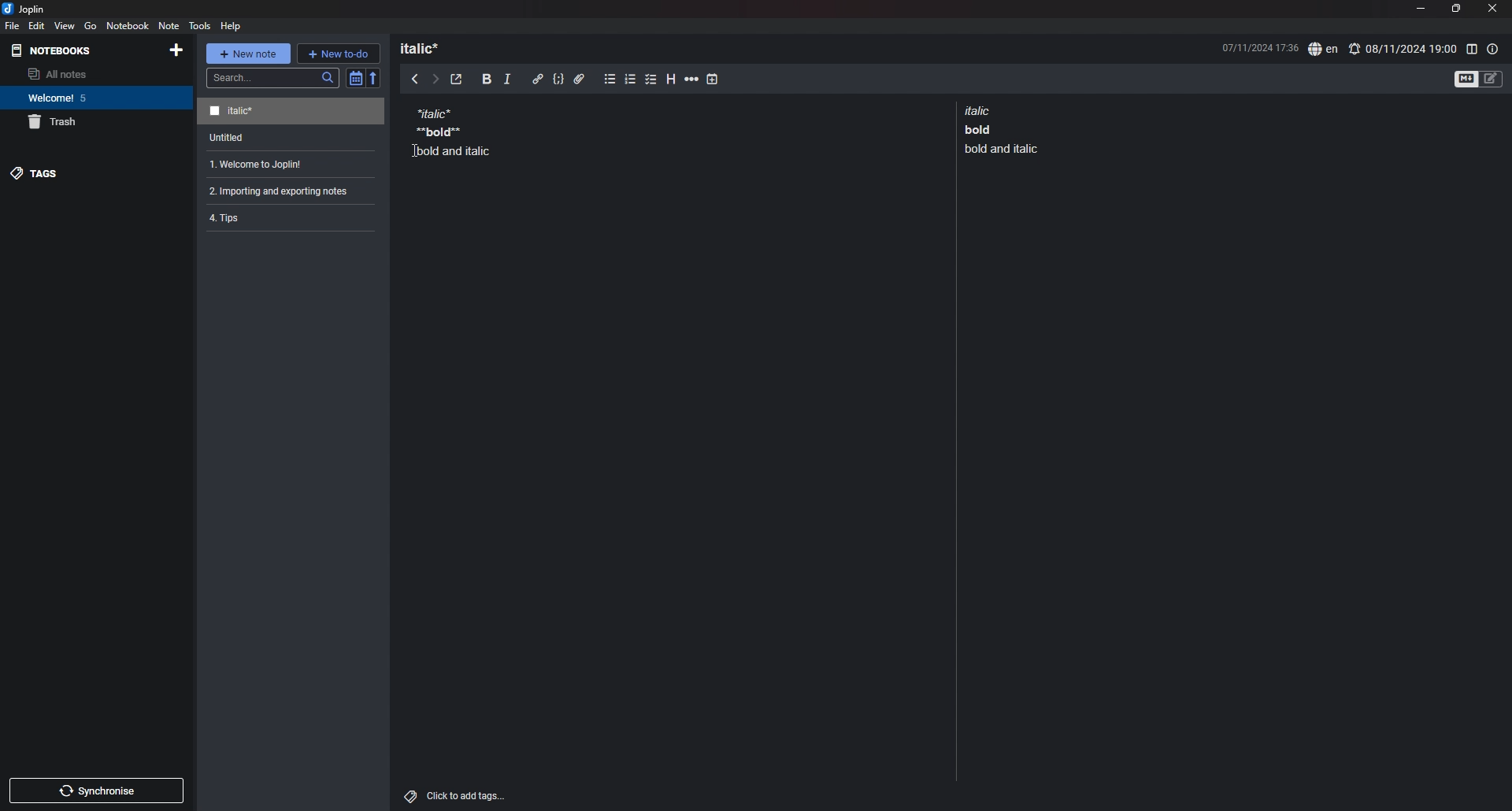  I want to click on sync, so click(98, 791).